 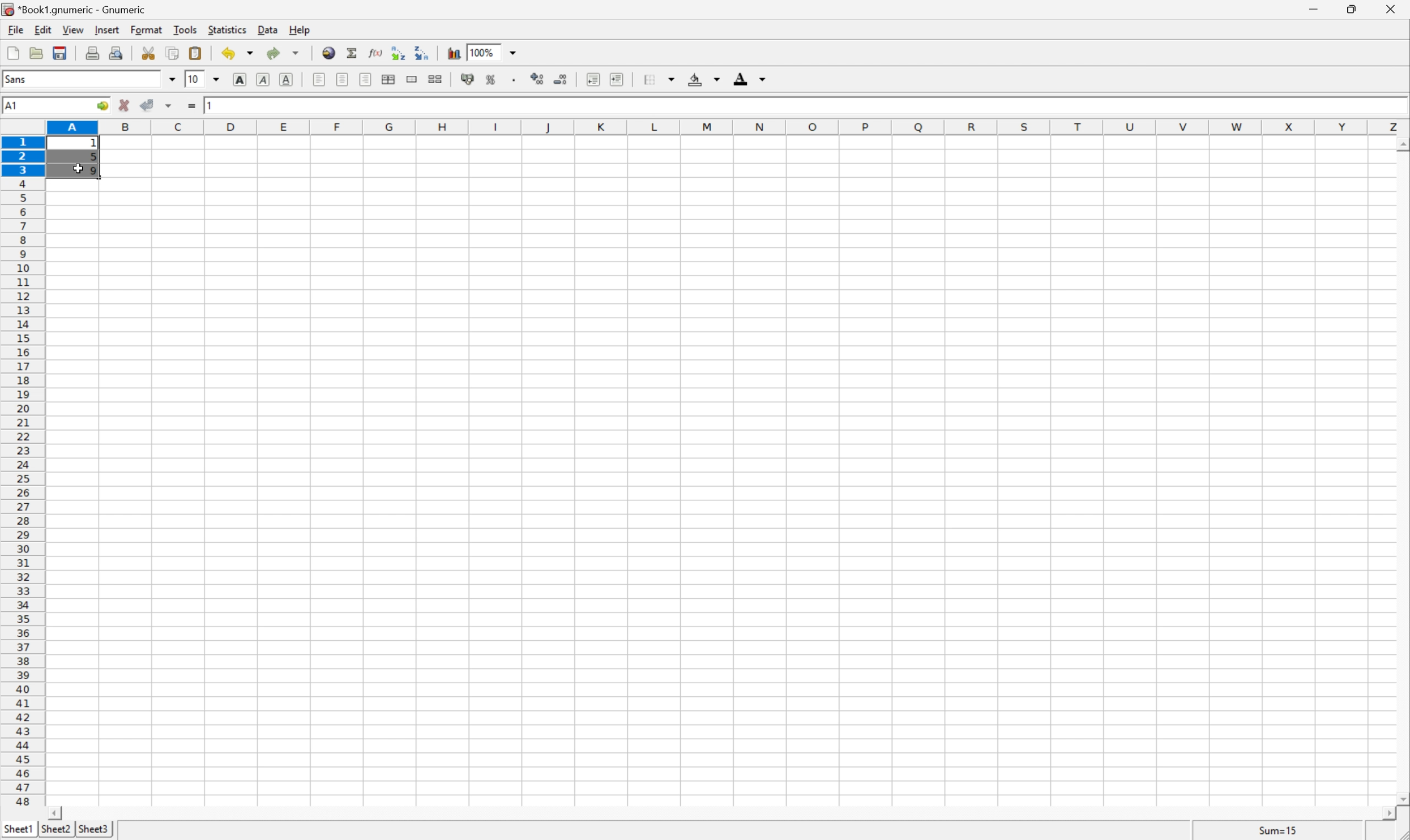 What do you see at coordinates (14, 28) in the screenshot?
I see `file` at bounding box center [14, 28].